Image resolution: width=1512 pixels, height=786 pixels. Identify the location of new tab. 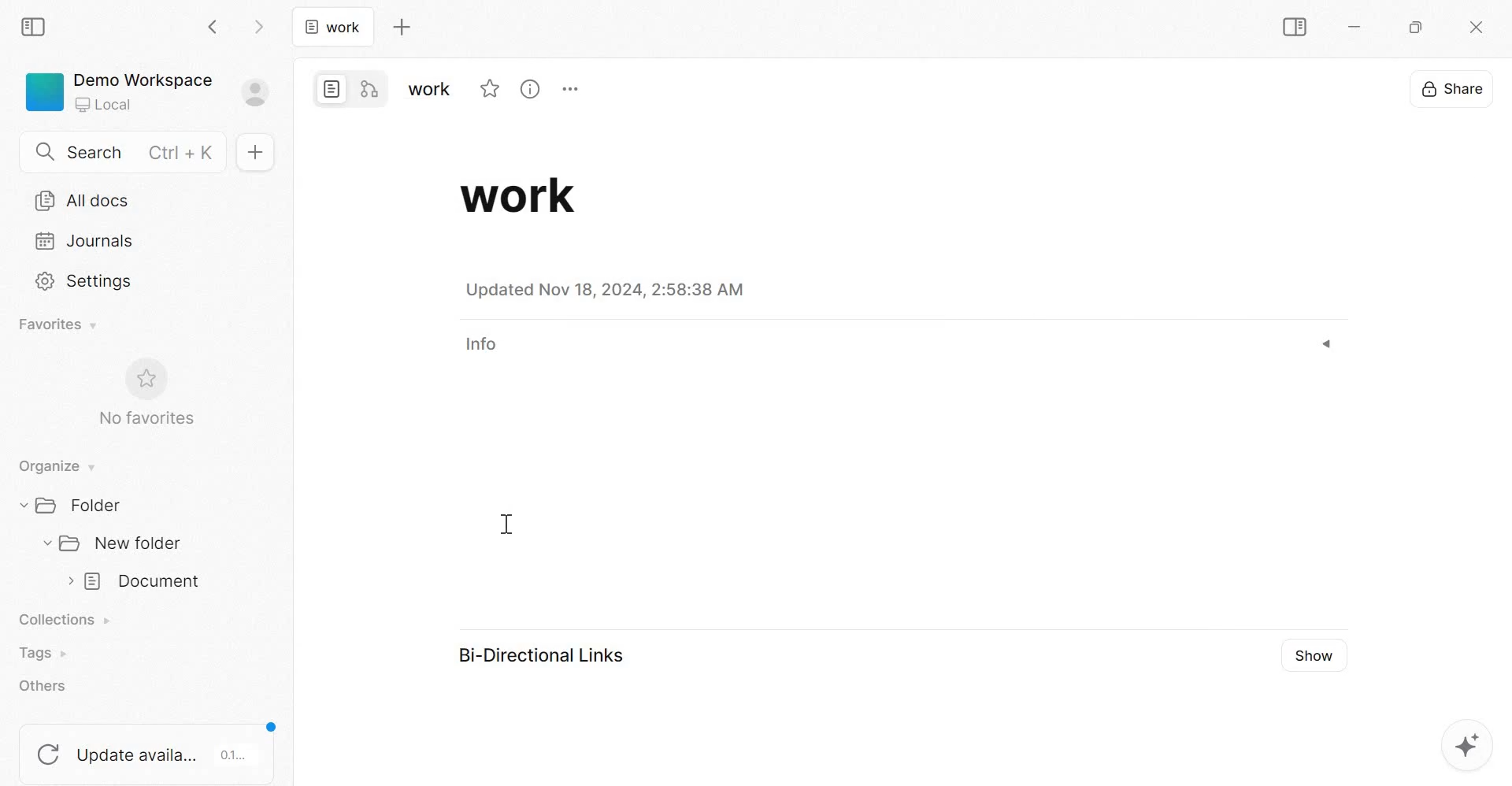
(401, 27).